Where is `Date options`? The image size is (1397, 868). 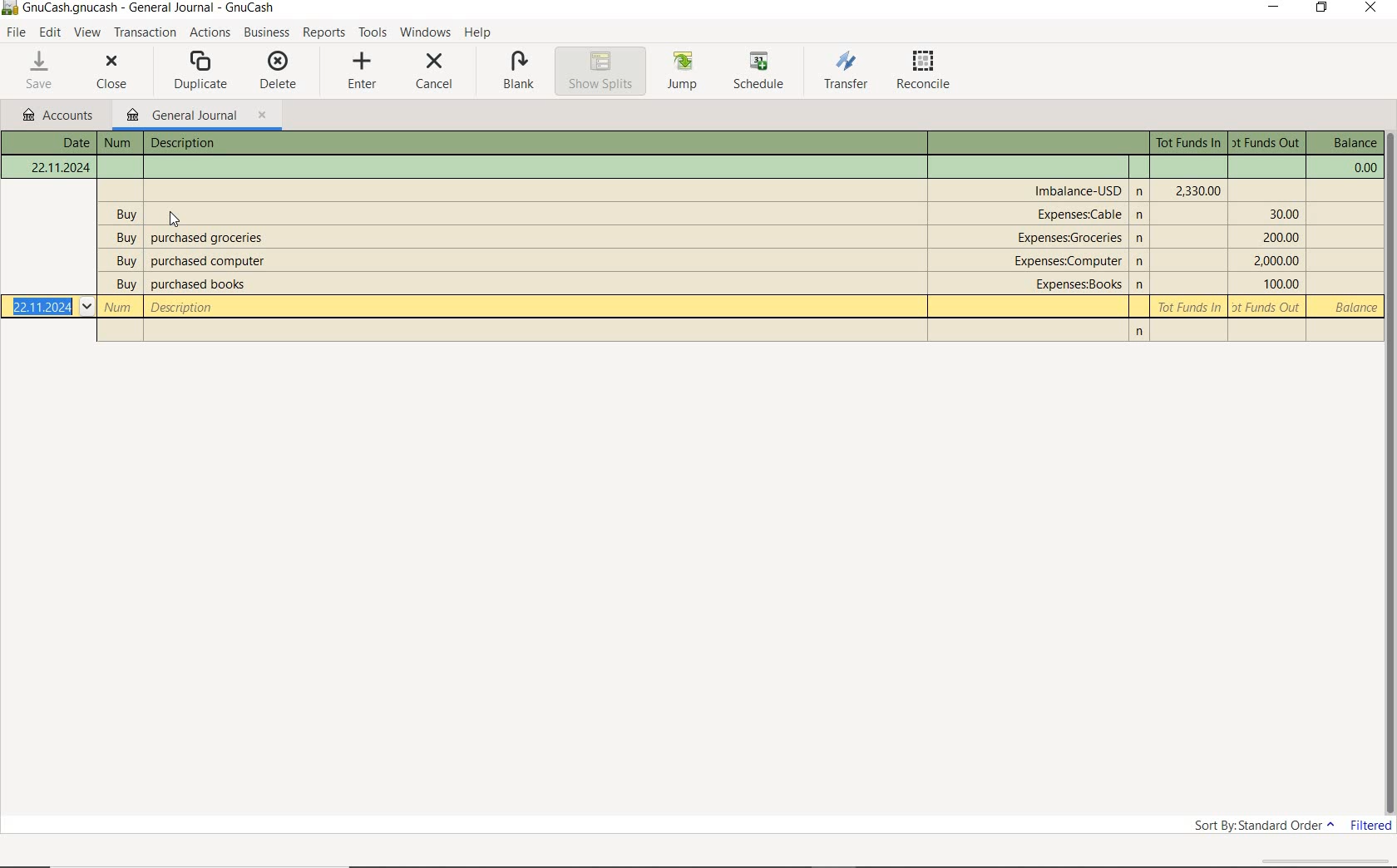 Date options is located at coordinates (86, 306).